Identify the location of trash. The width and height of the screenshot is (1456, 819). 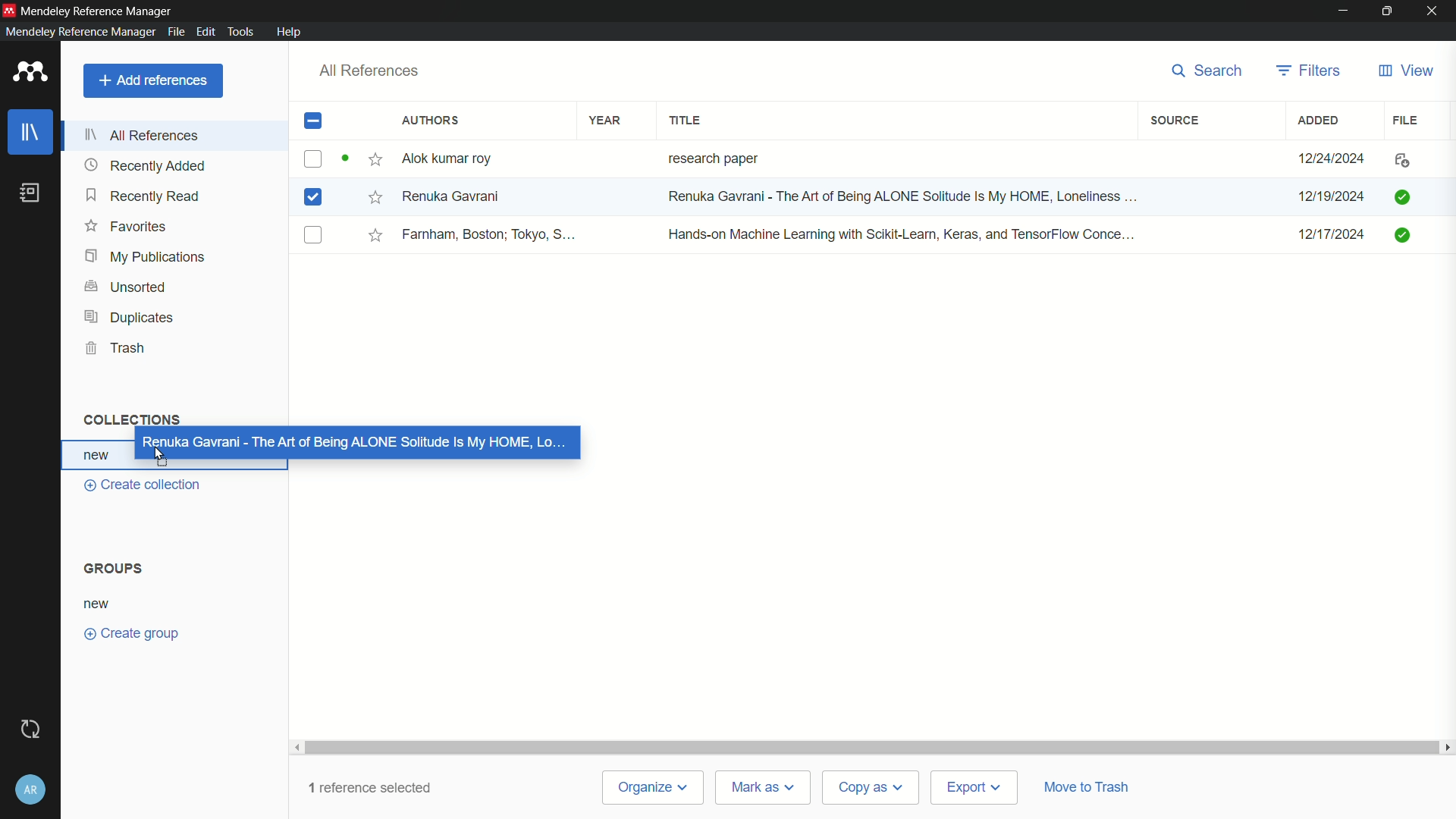
(115, 347).